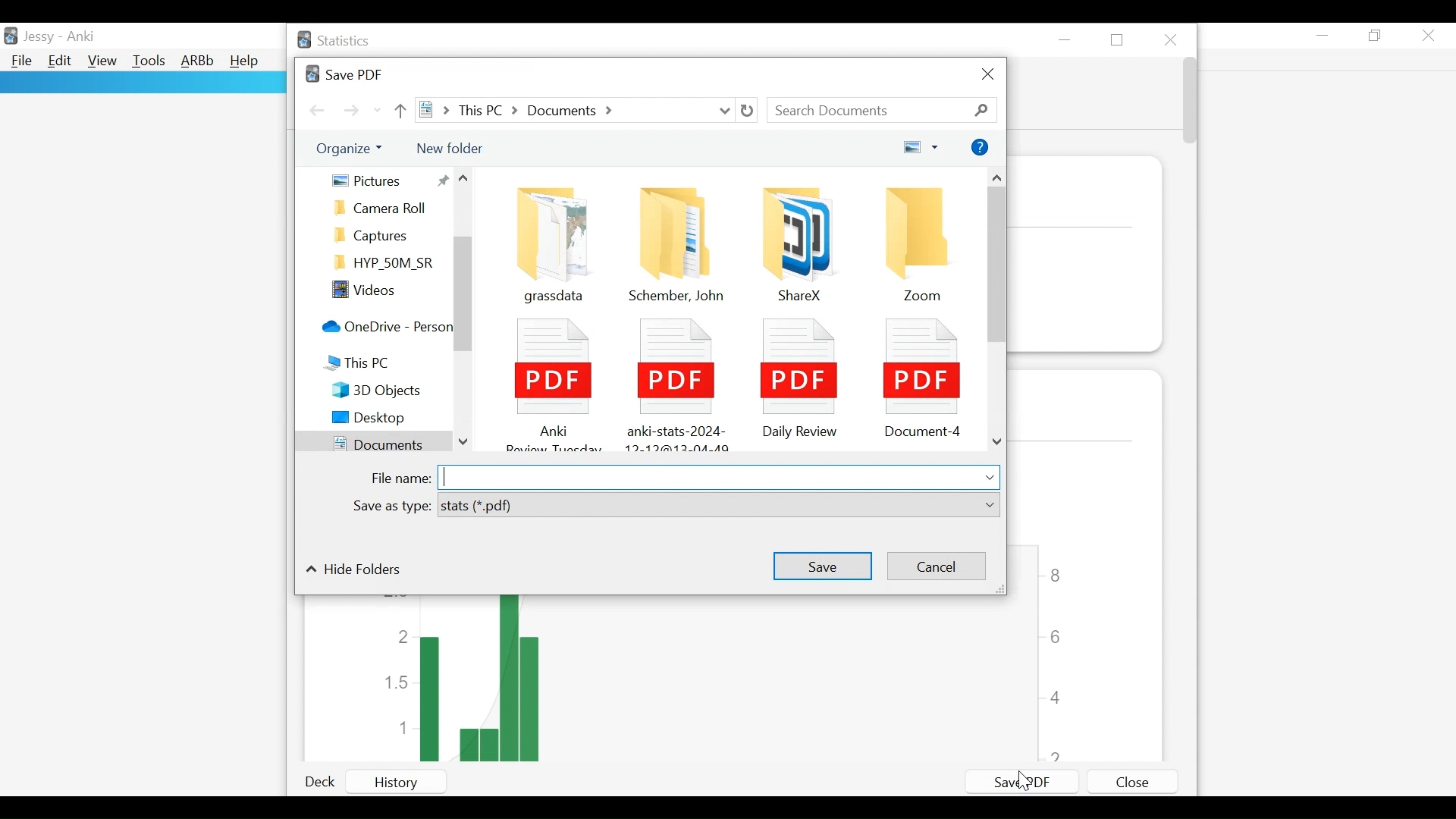 This screenshot has width=1456, height=819. Describe the element at coordinates (385, 209) in the screenshot. I see `Folder` at that location.